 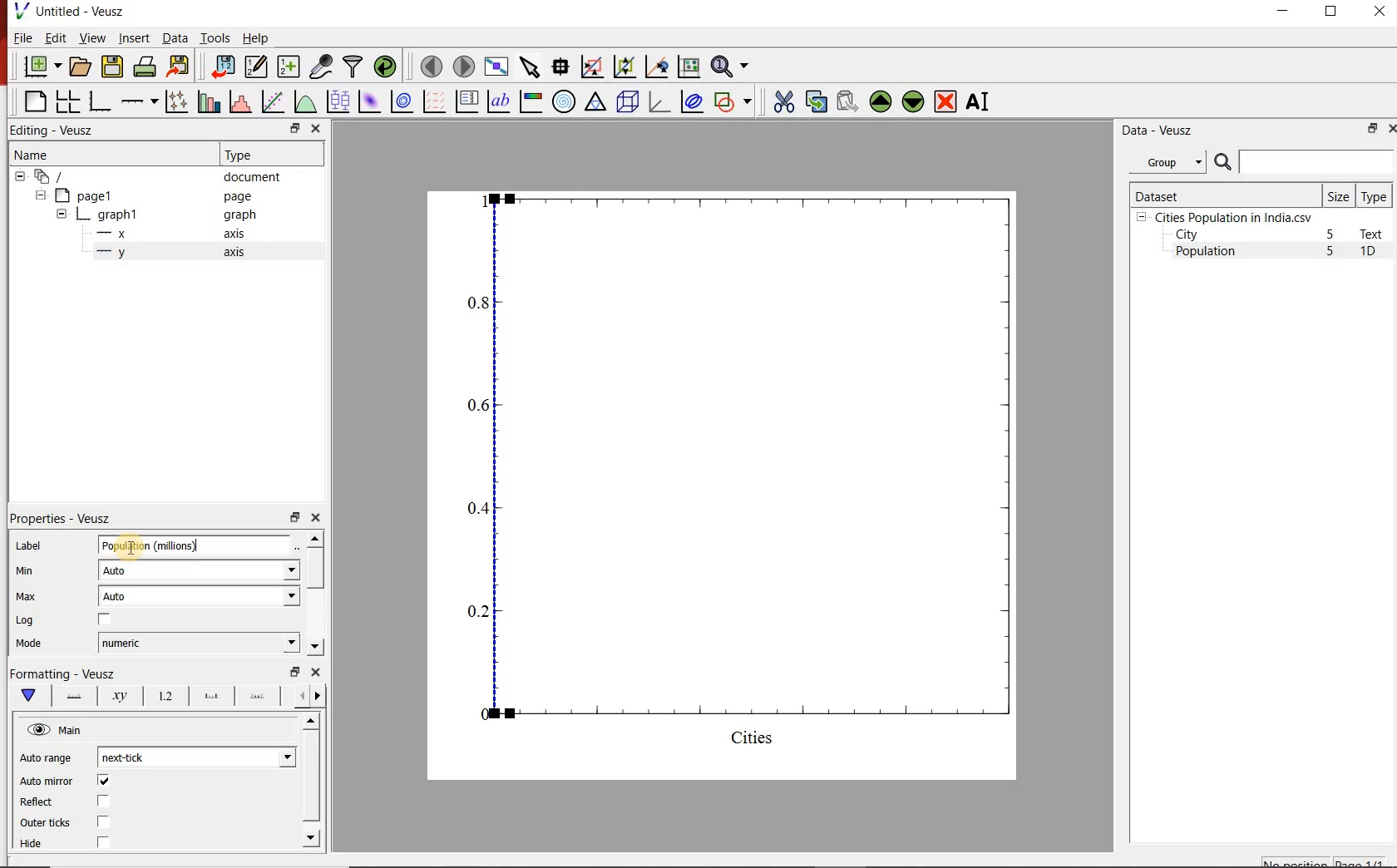 What do you see at coordinates (27, 545) in the screenshot?
I see `Label` at bounding box center [27, 545].